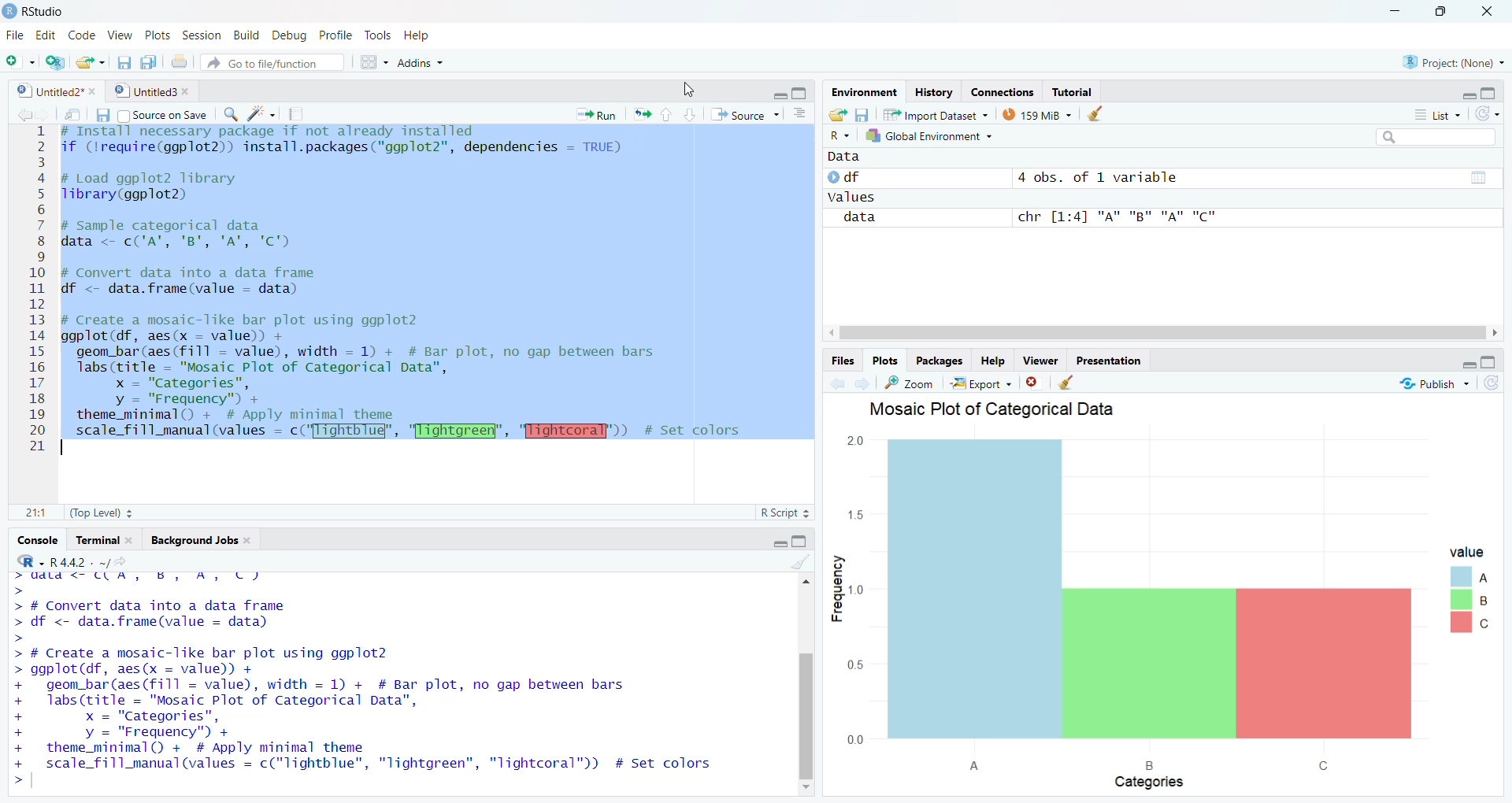 Image resolution: width=1512 pixels, height=803 pixels. I want to click on List, so click(1435, 113).